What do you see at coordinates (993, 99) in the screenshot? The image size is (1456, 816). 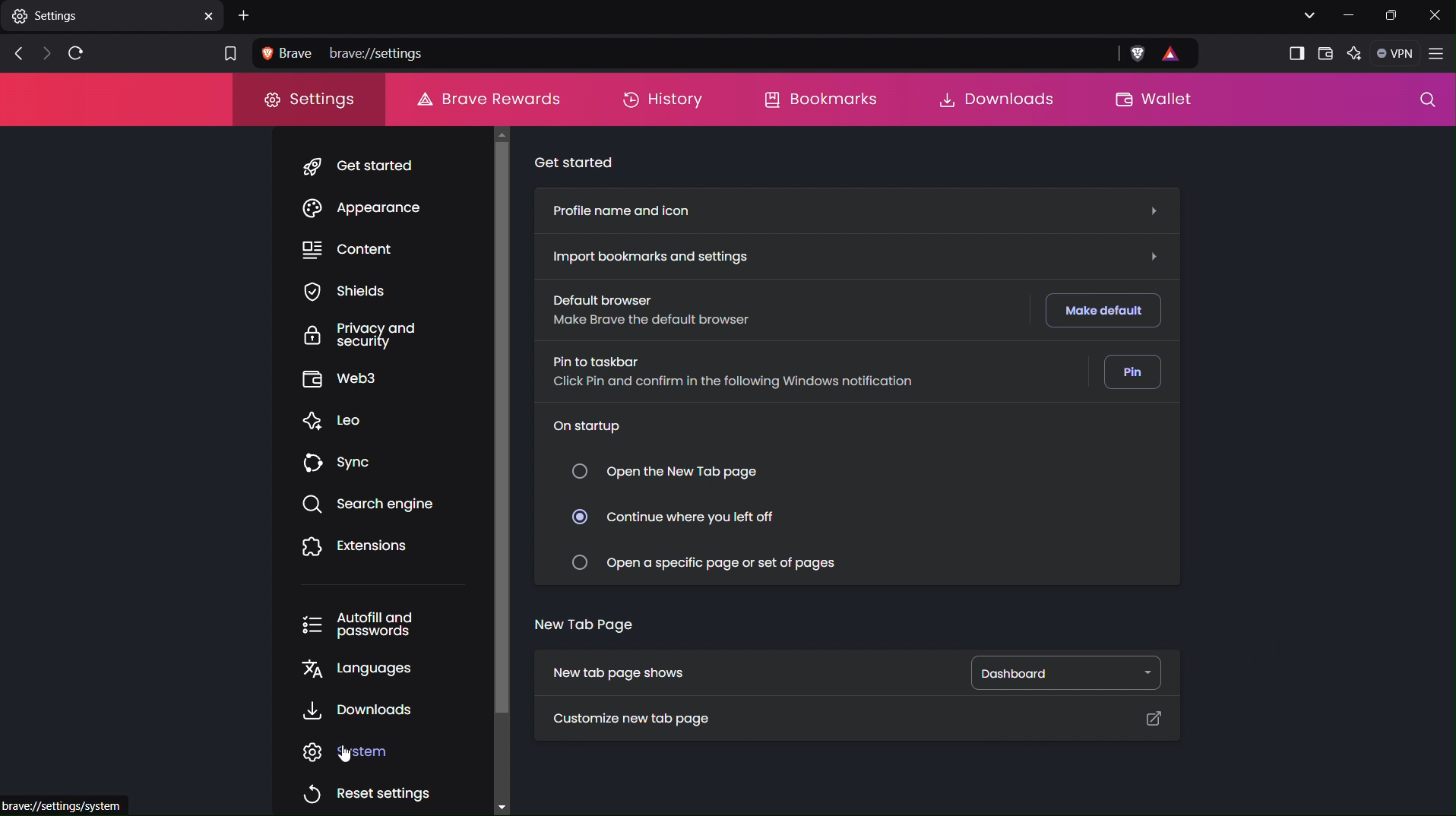 I see `Downloads` at bounding box center [993, 99].